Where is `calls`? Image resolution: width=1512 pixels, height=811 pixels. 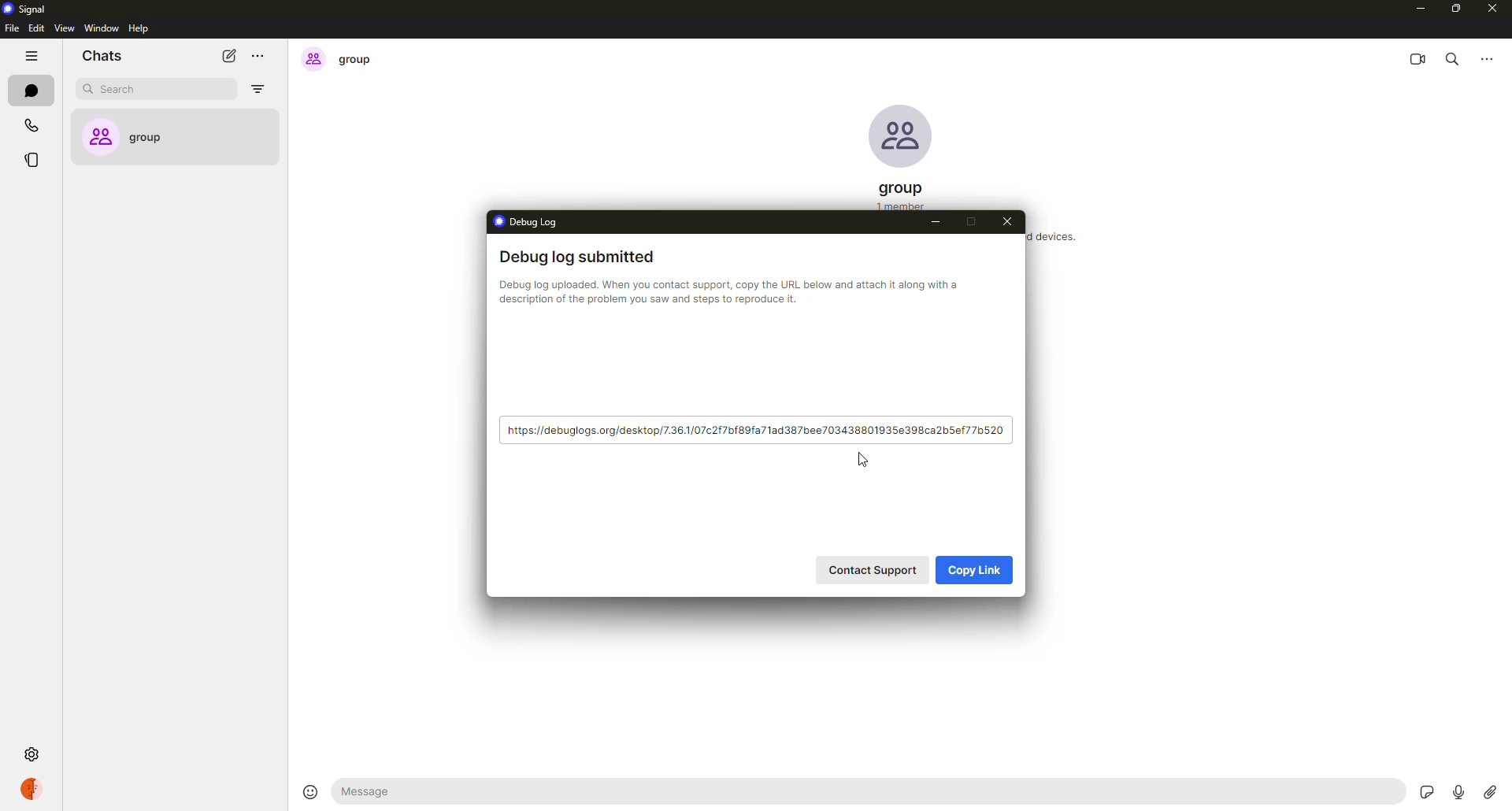
calls is located at coordinates (29, 124).